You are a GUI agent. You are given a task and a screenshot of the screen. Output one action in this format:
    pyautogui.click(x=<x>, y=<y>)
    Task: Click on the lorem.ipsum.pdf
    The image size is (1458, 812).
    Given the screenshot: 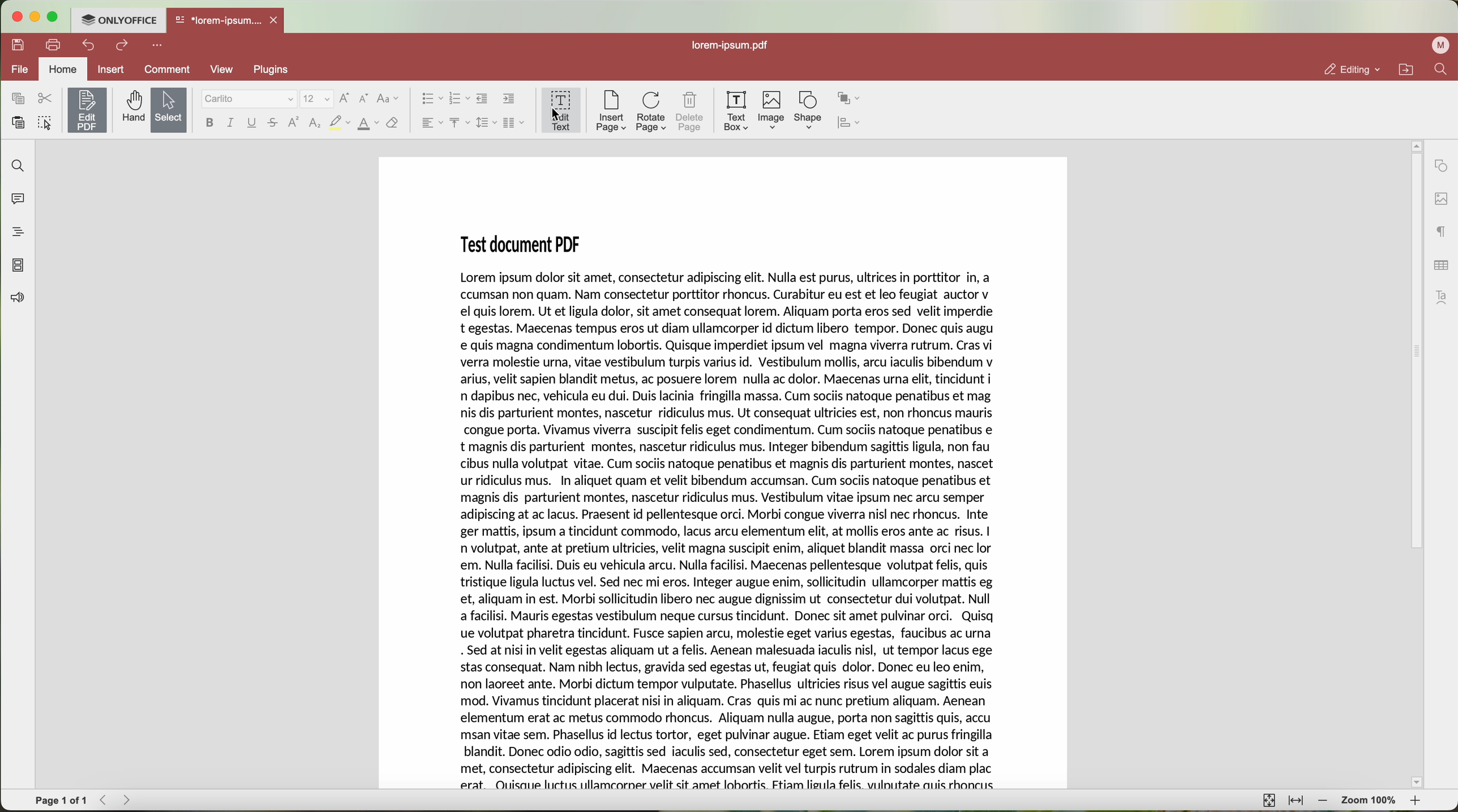 What is the action you would take?
    pyautogui.click(x=734, y=46)
    